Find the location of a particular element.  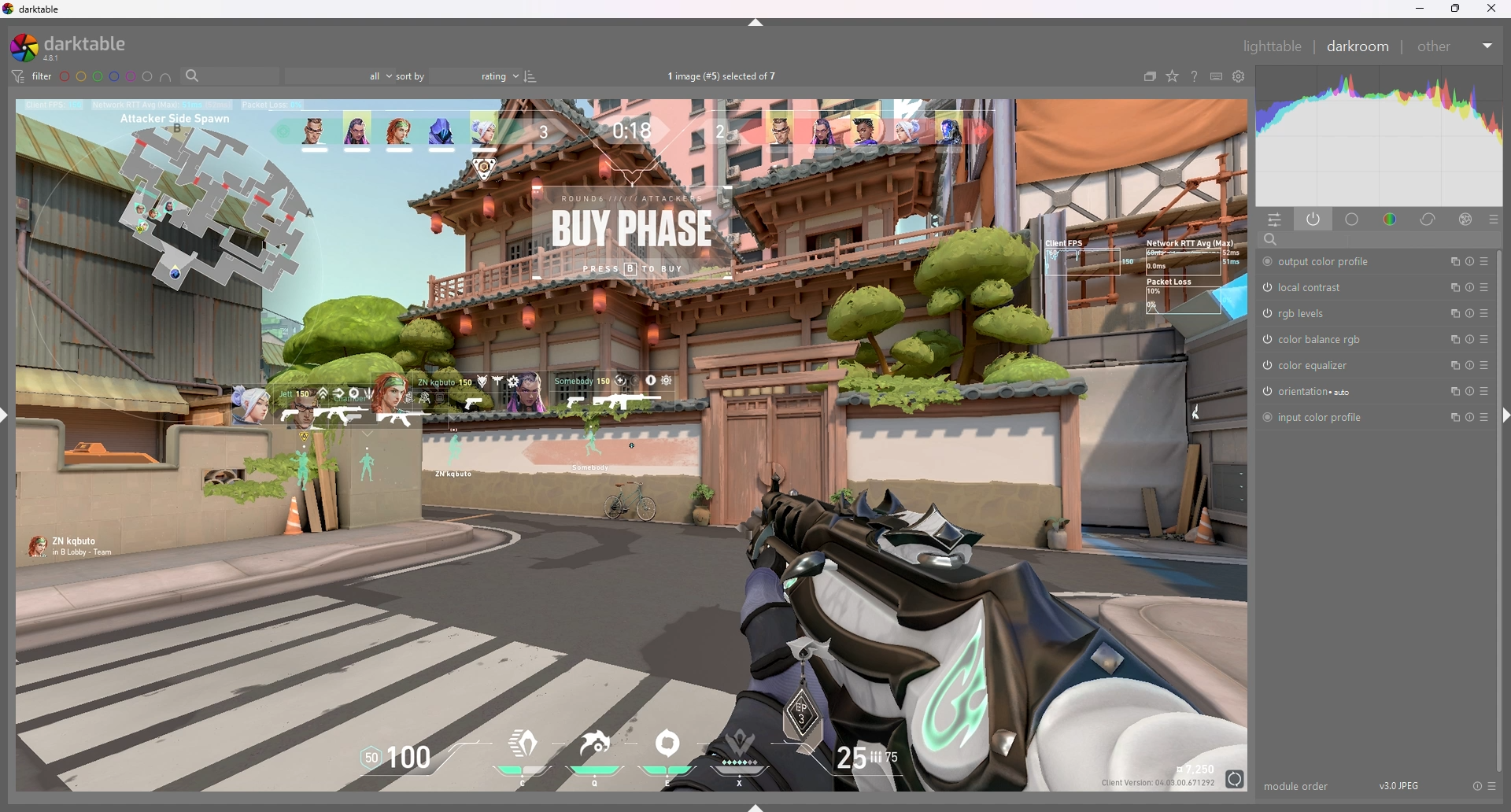

reset is located at coordinates (1470, 287).